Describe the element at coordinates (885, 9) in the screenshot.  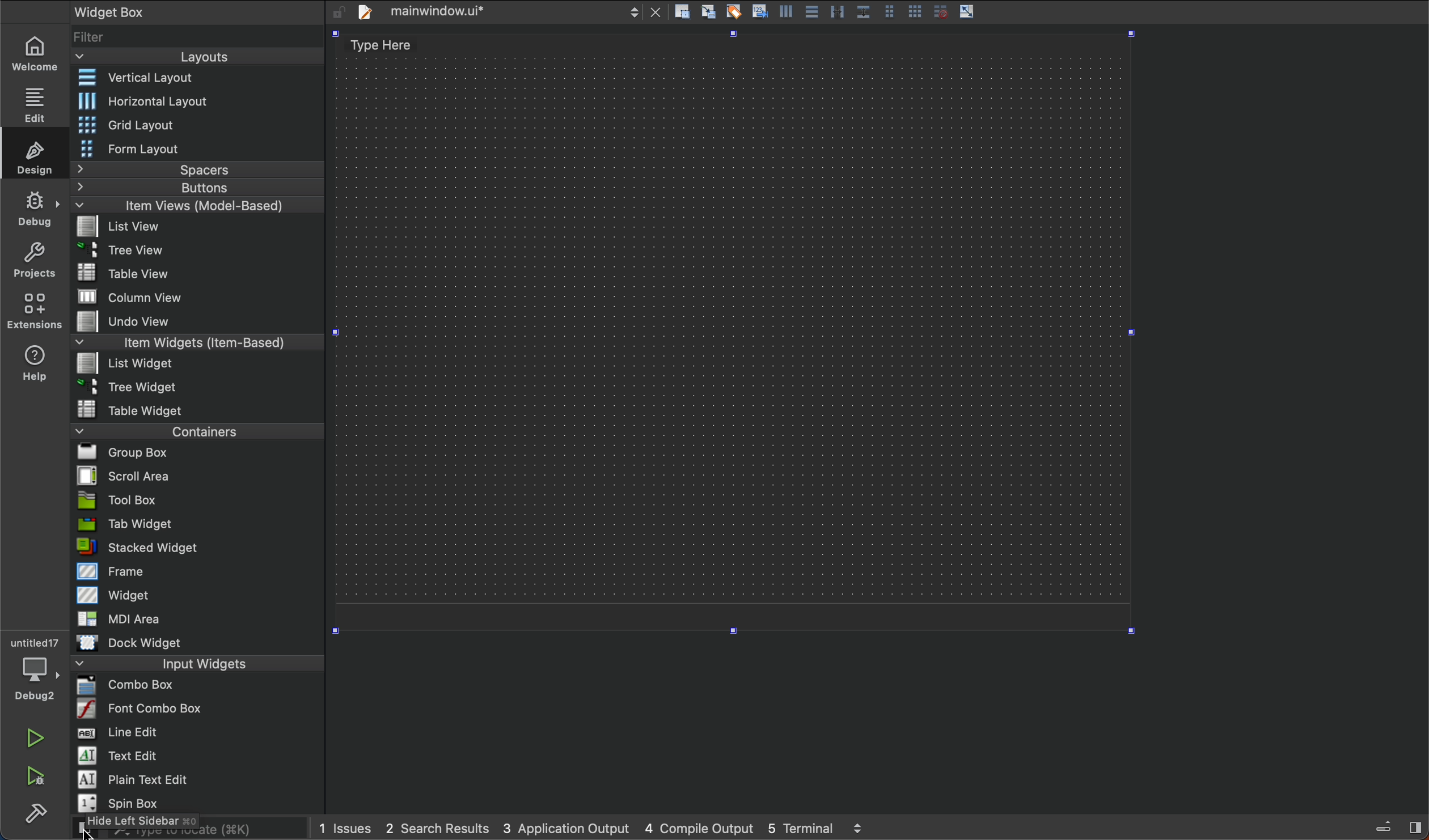
I see `` at that location.